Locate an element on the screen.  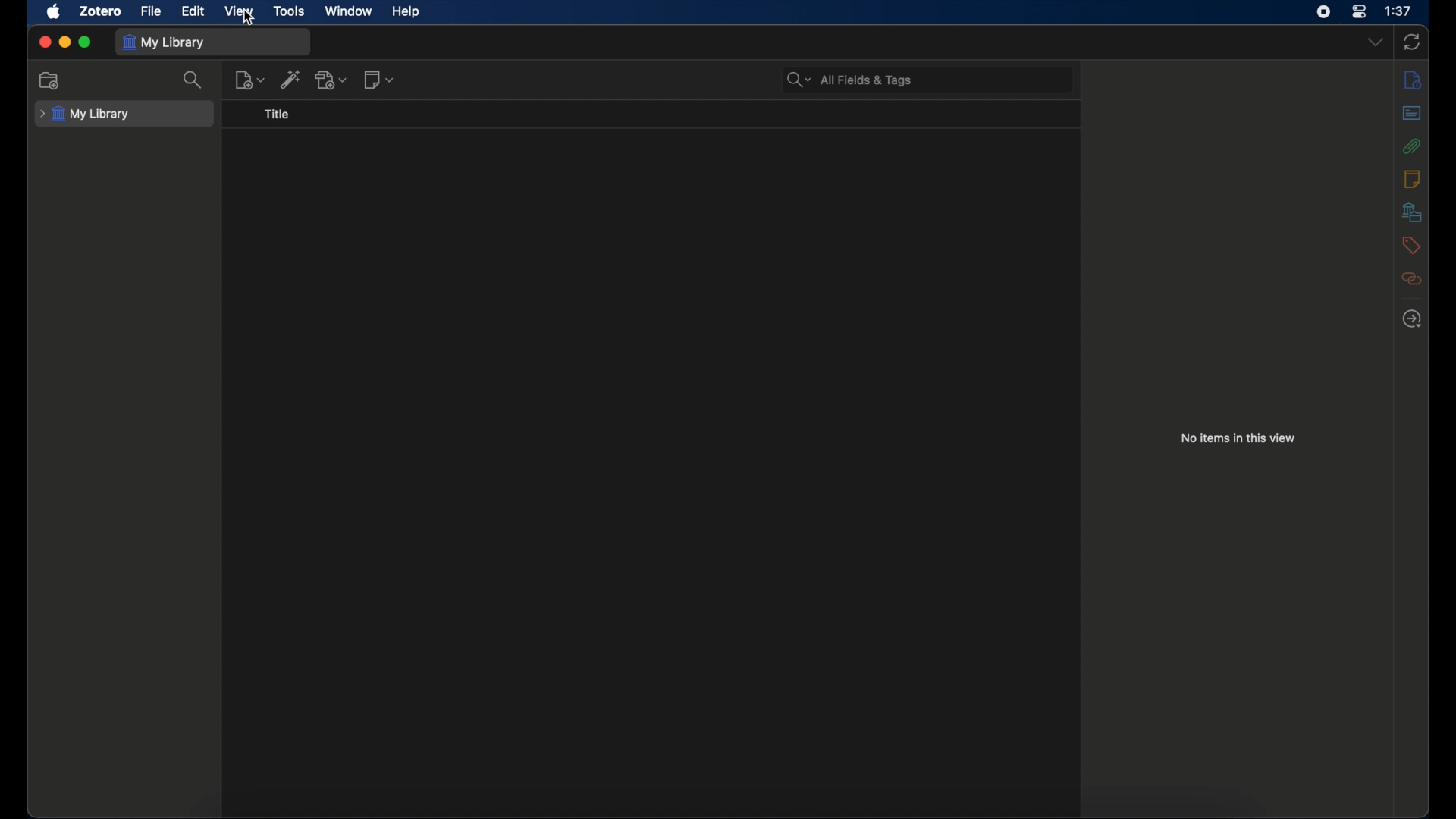
abstract is located at coordinates (1412, 112).